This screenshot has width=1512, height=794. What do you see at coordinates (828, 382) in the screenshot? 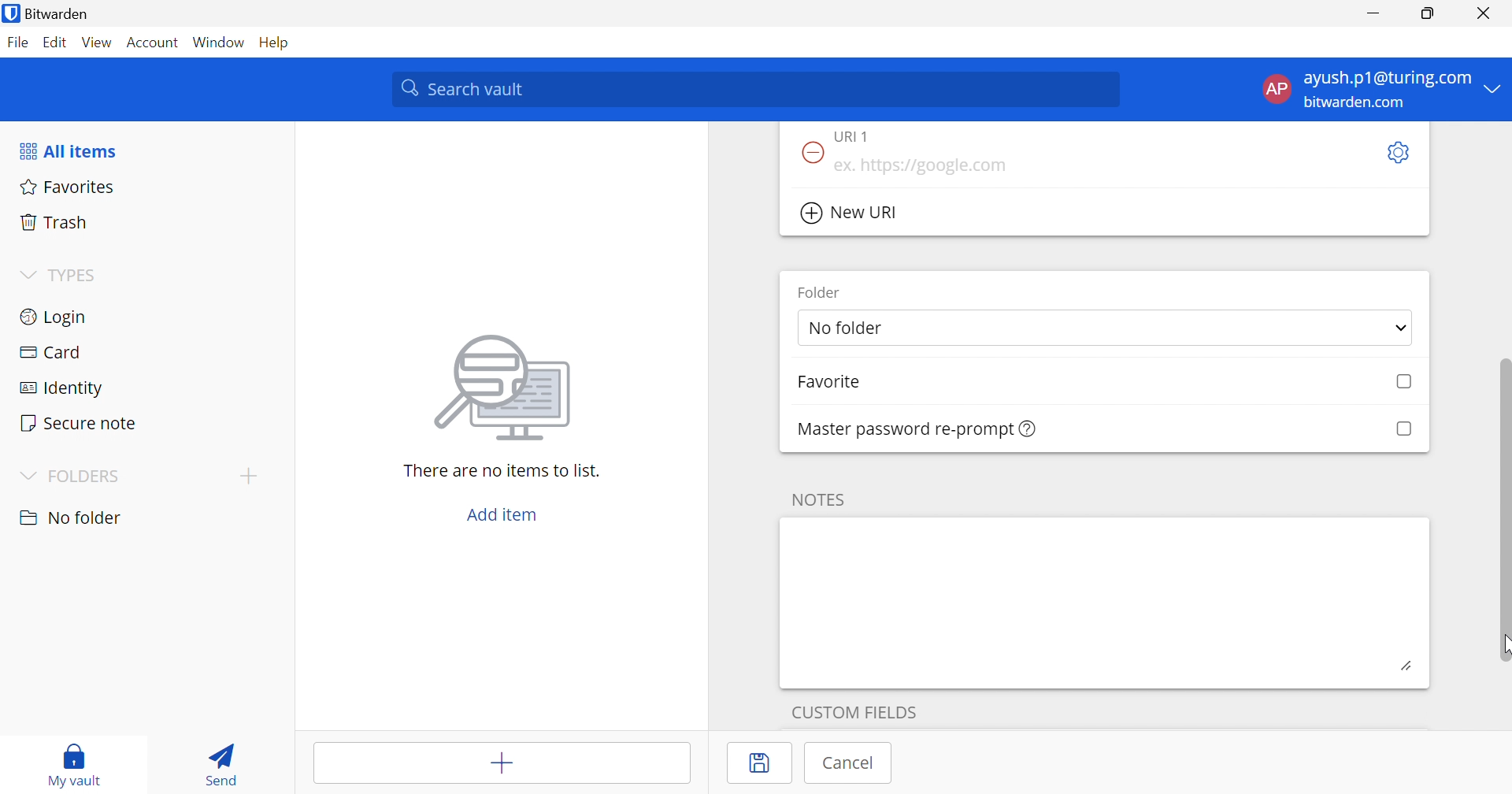
I see `Favorite` at bounding box center [828, 382].